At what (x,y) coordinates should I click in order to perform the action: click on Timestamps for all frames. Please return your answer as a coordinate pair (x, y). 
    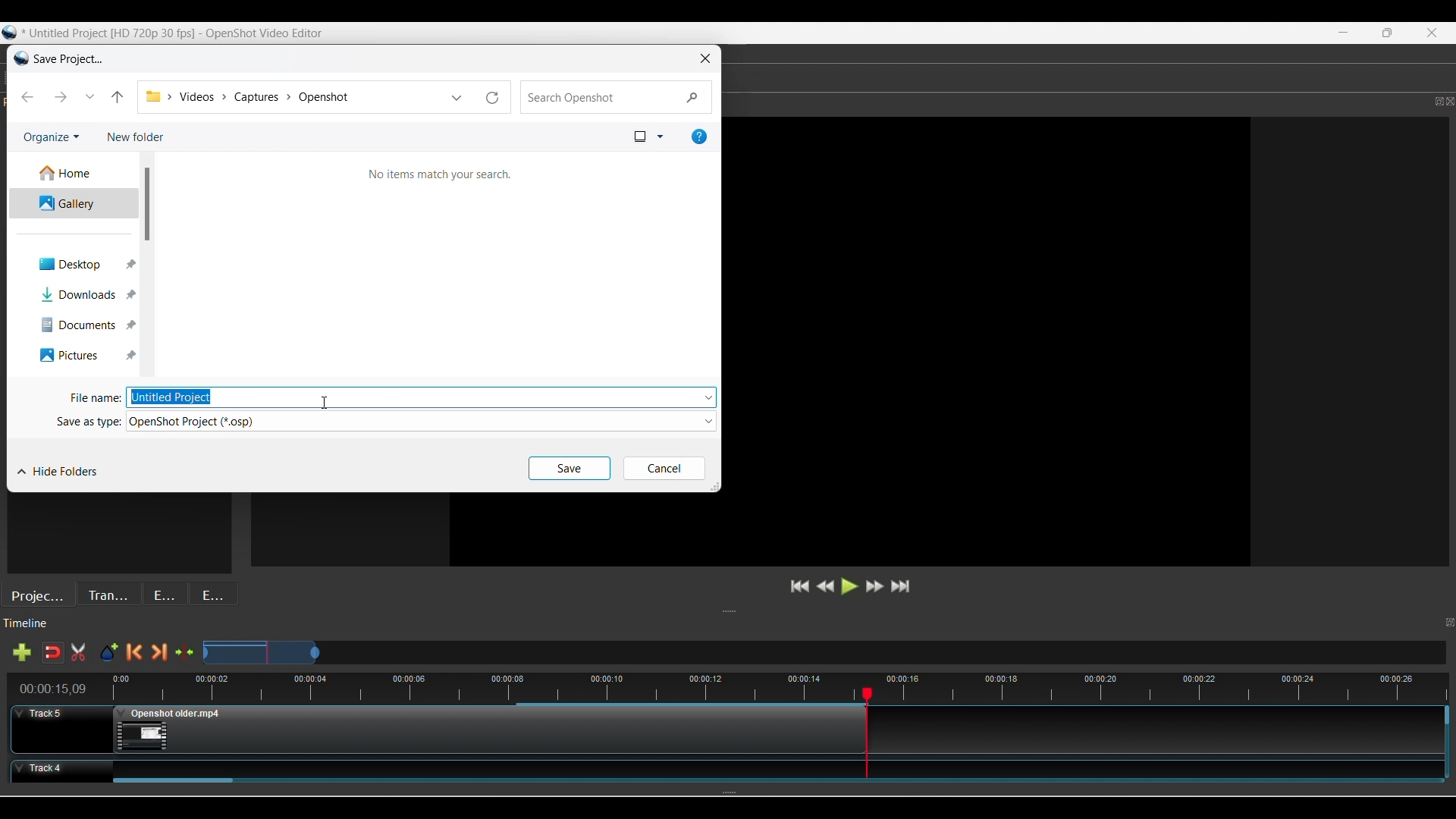
    Looking at the image, I should click on (482, 686).